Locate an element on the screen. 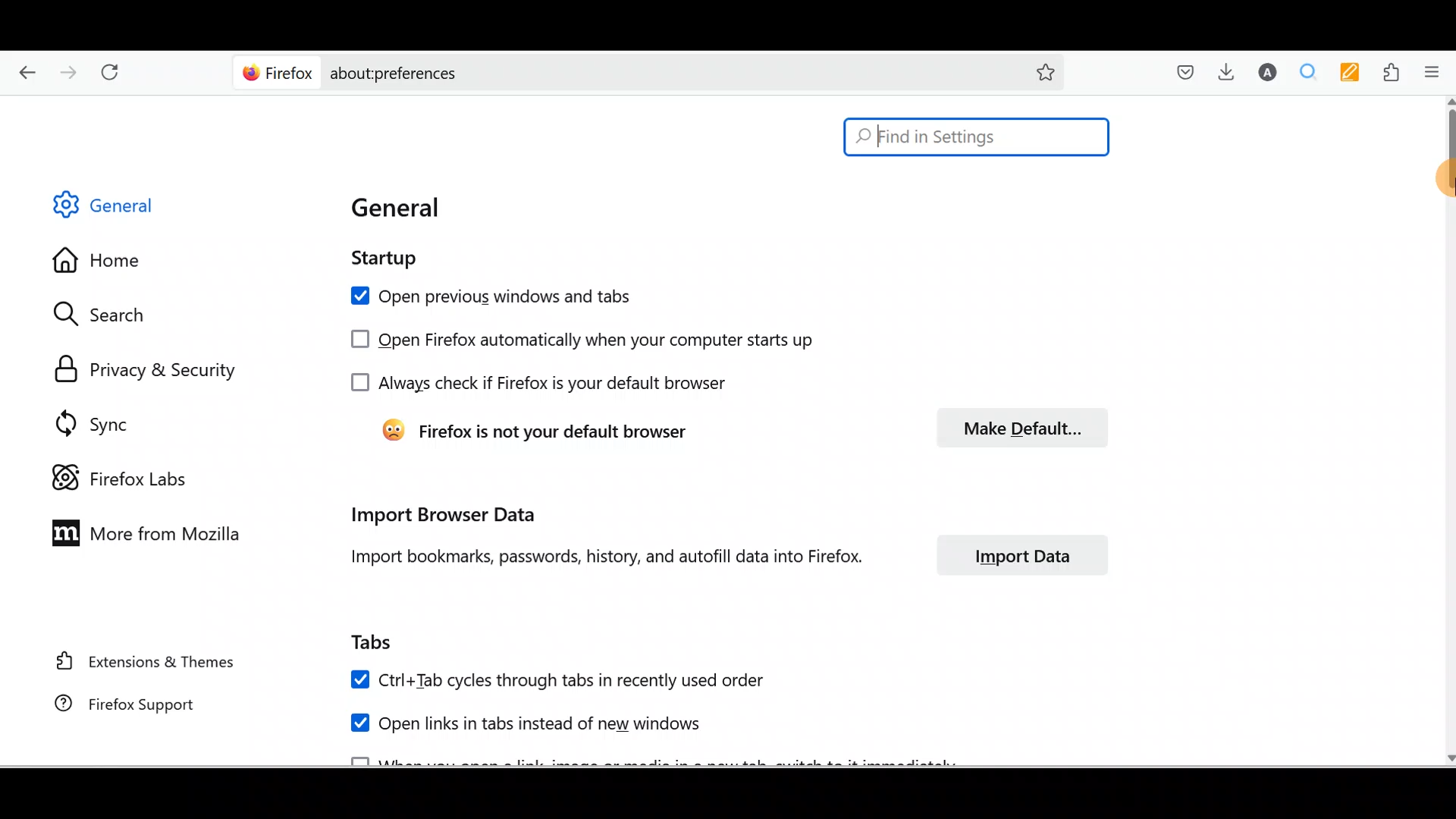 The image size is (1456, 819). General is located at coordinates (400, 210).